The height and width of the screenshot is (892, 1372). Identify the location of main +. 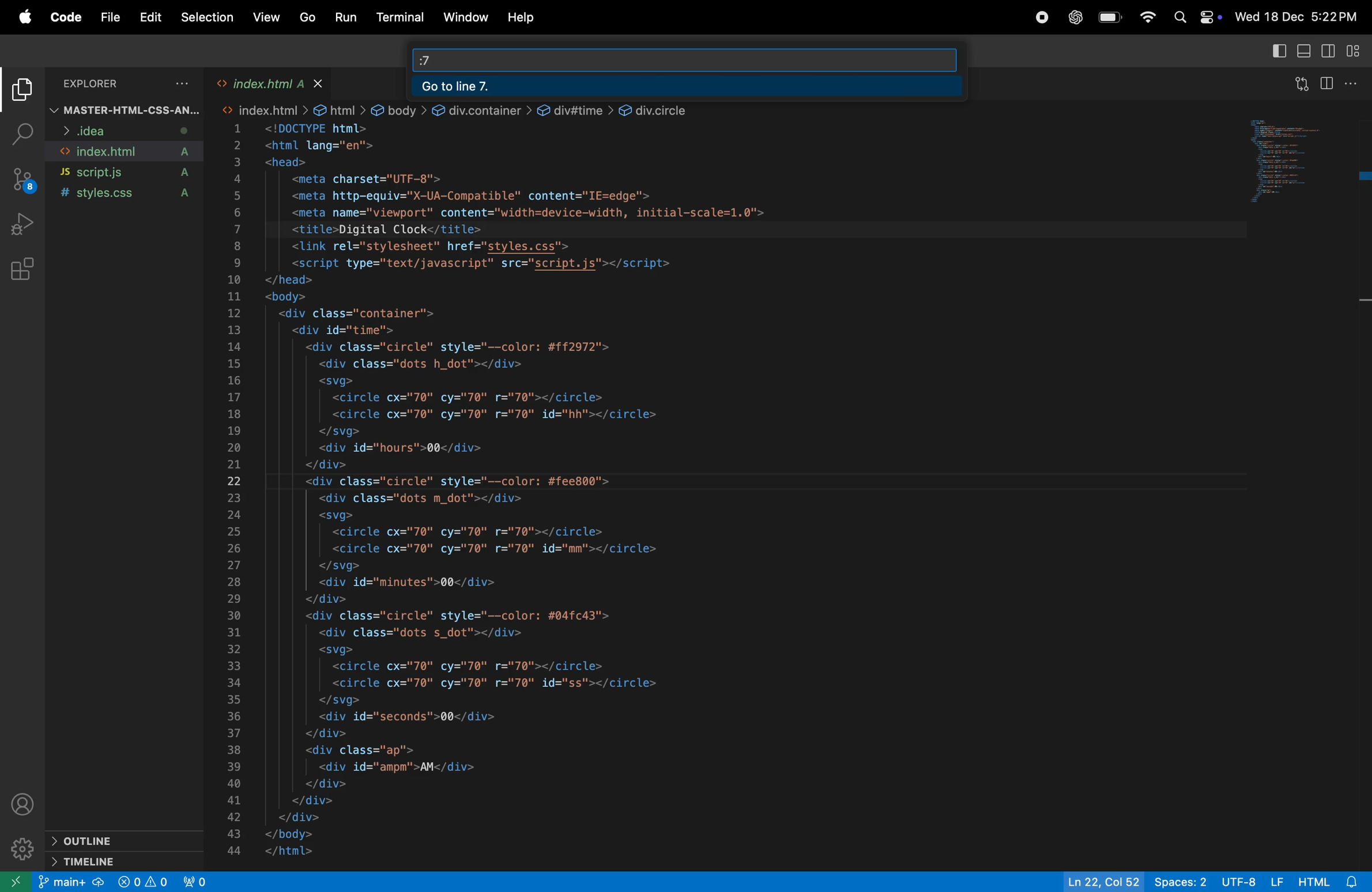
(71, 882).